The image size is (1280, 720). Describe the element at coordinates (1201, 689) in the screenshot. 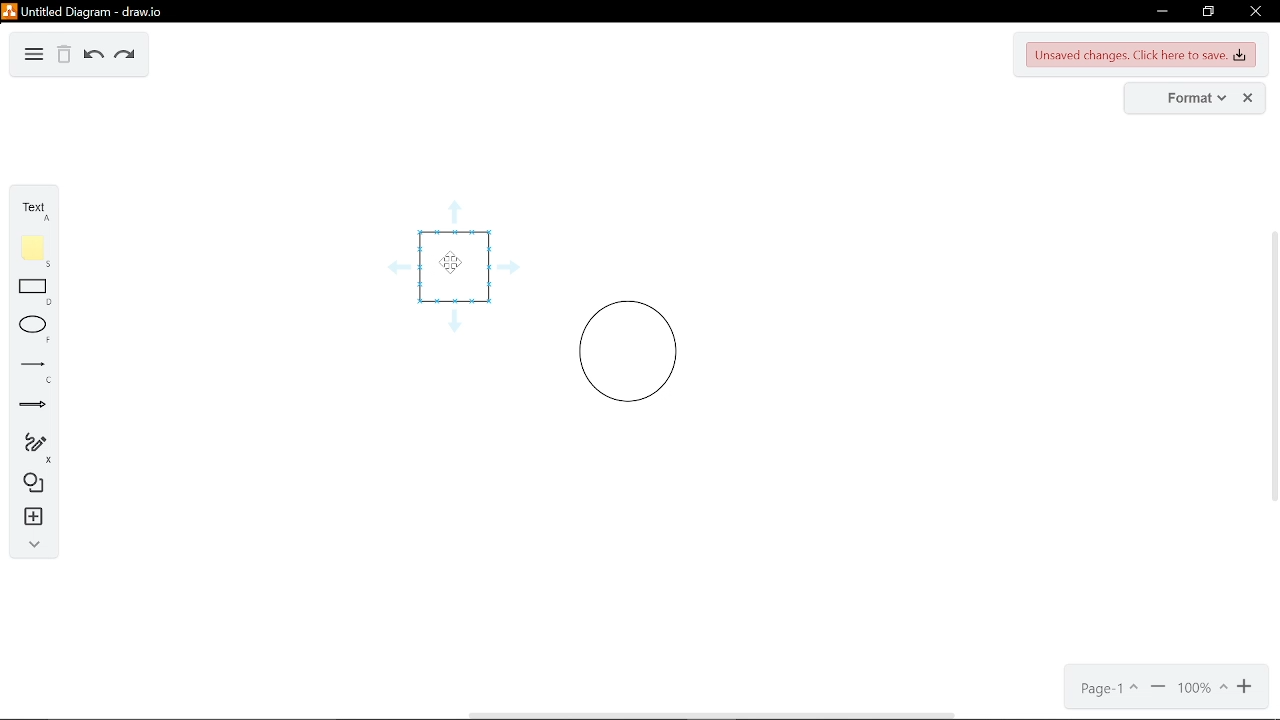

I see `current zoom` at that location.